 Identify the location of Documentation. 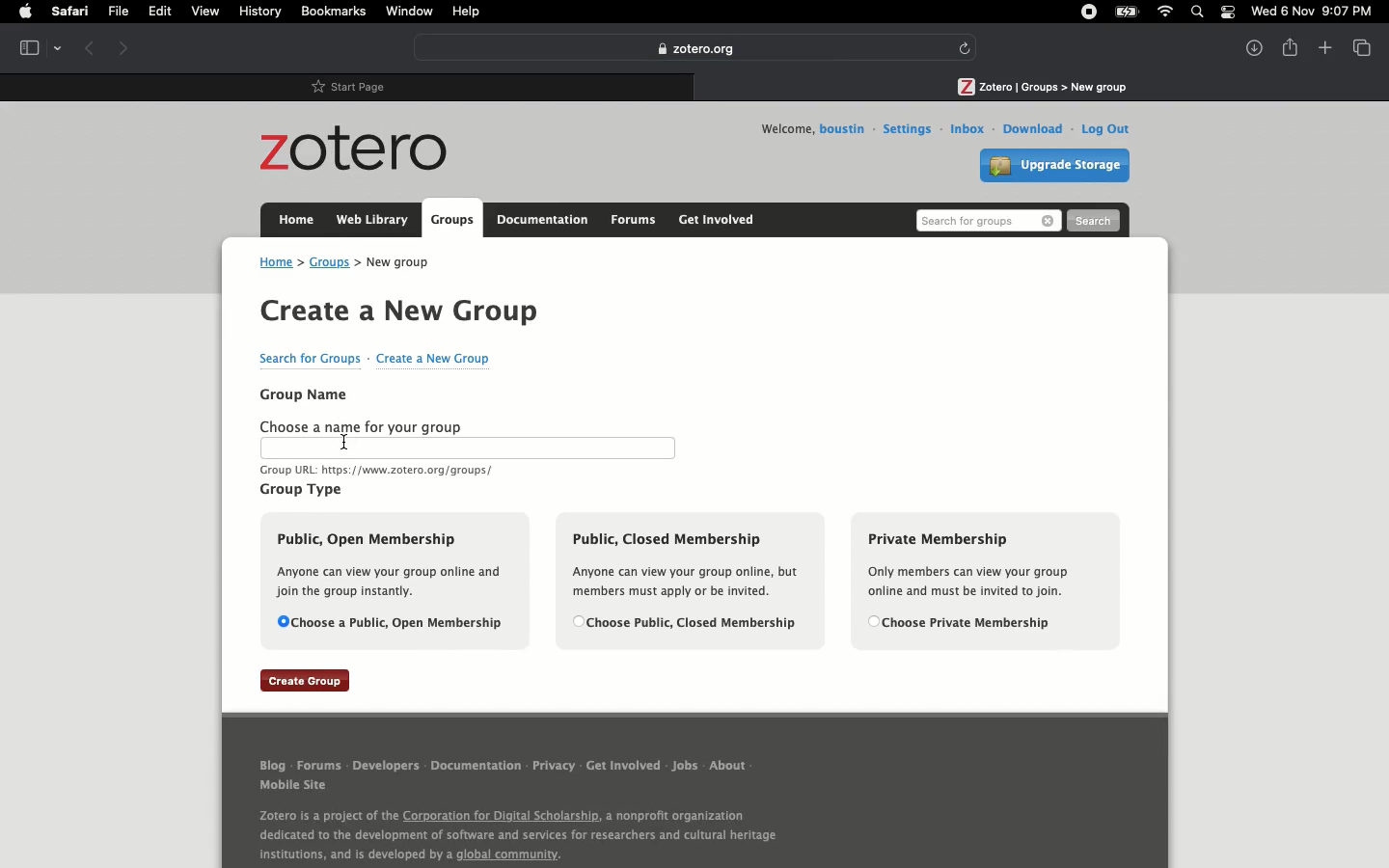
(543, 220).